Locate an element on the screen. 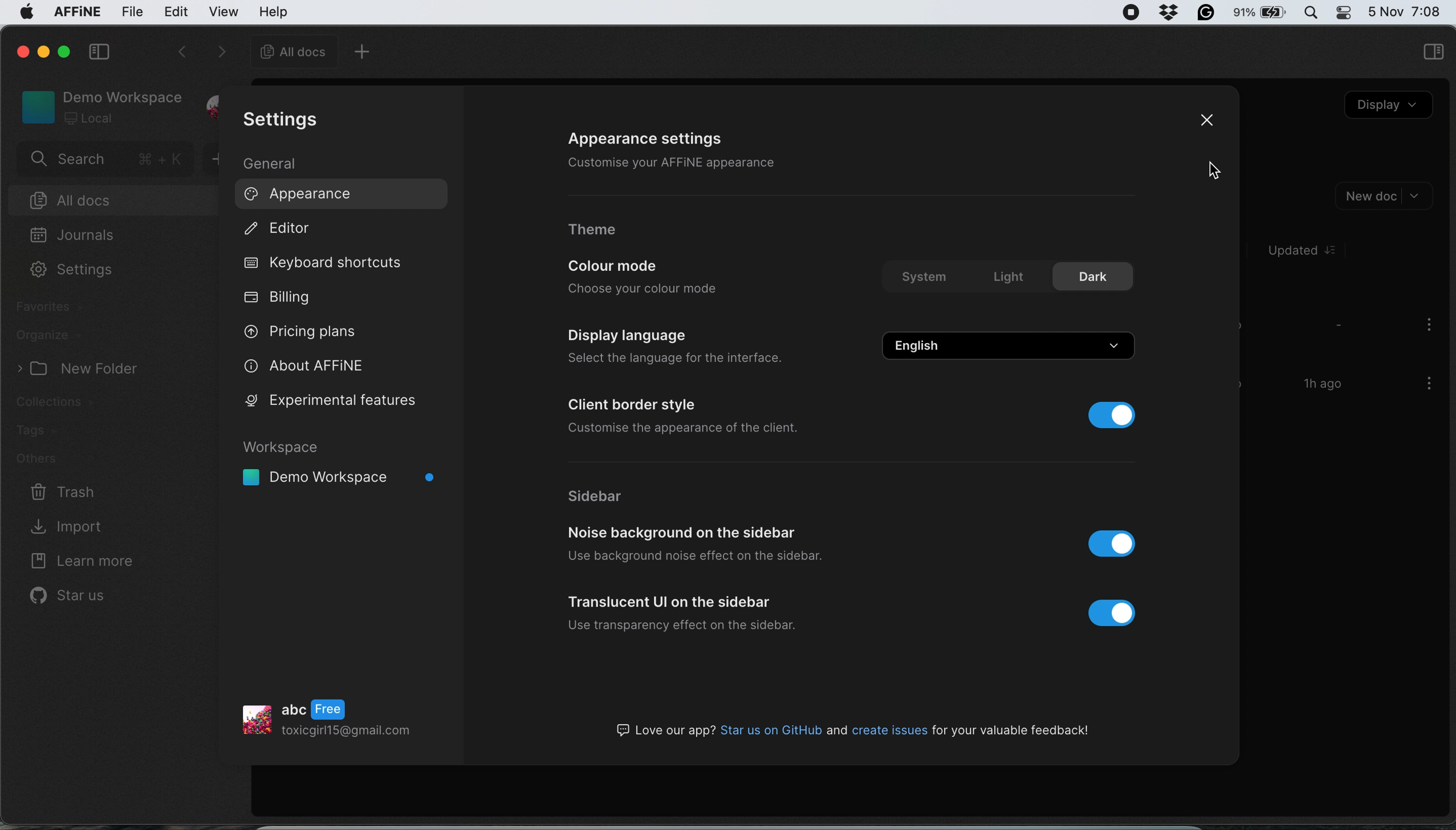 This screenshot has height=830, width=1456. edit is located at coordinates (180, 11).